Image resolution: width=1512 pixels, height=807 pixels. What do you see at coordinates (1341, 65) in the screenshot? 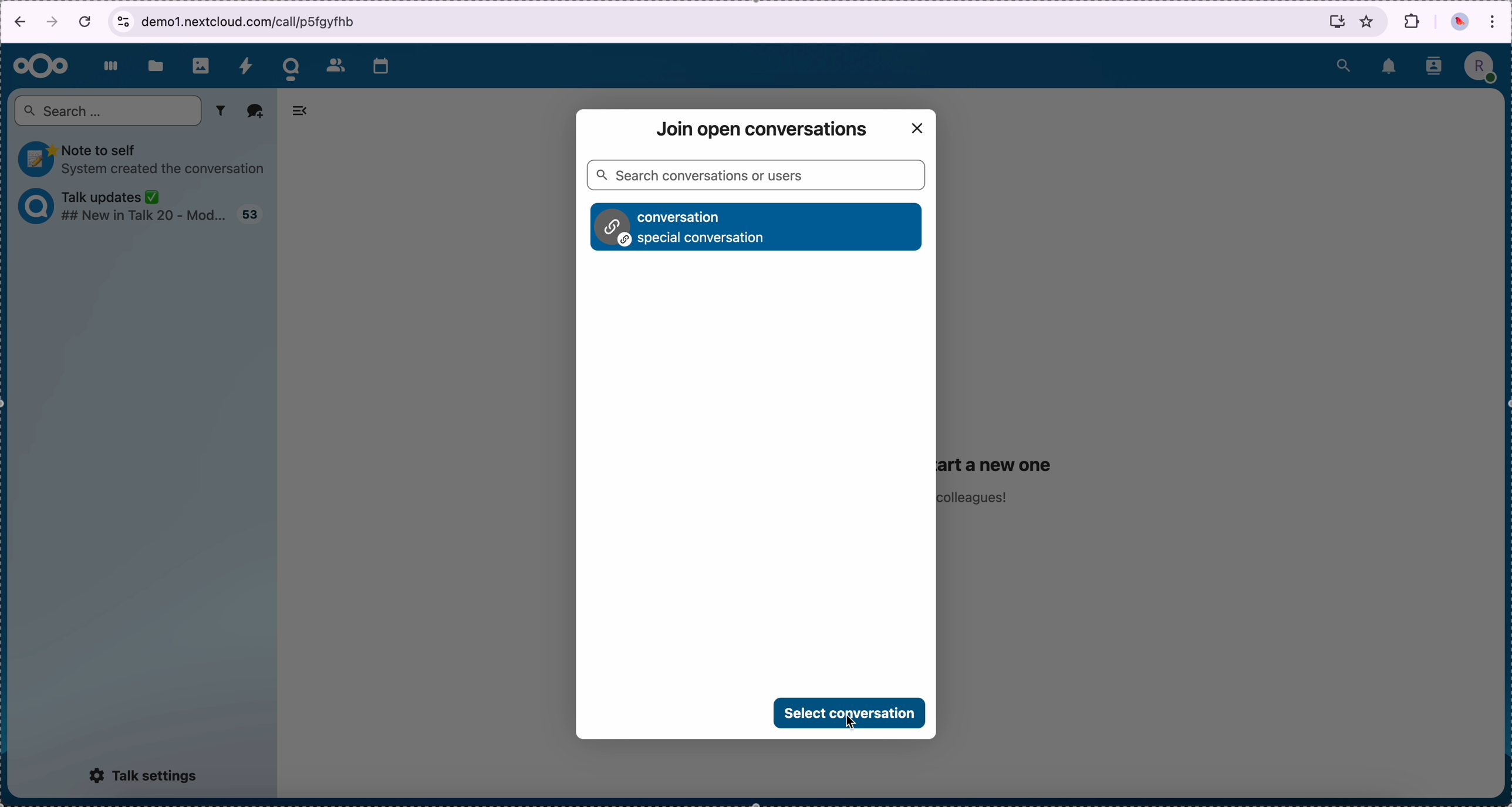
I see `search` at bounding box center [1341, 65].